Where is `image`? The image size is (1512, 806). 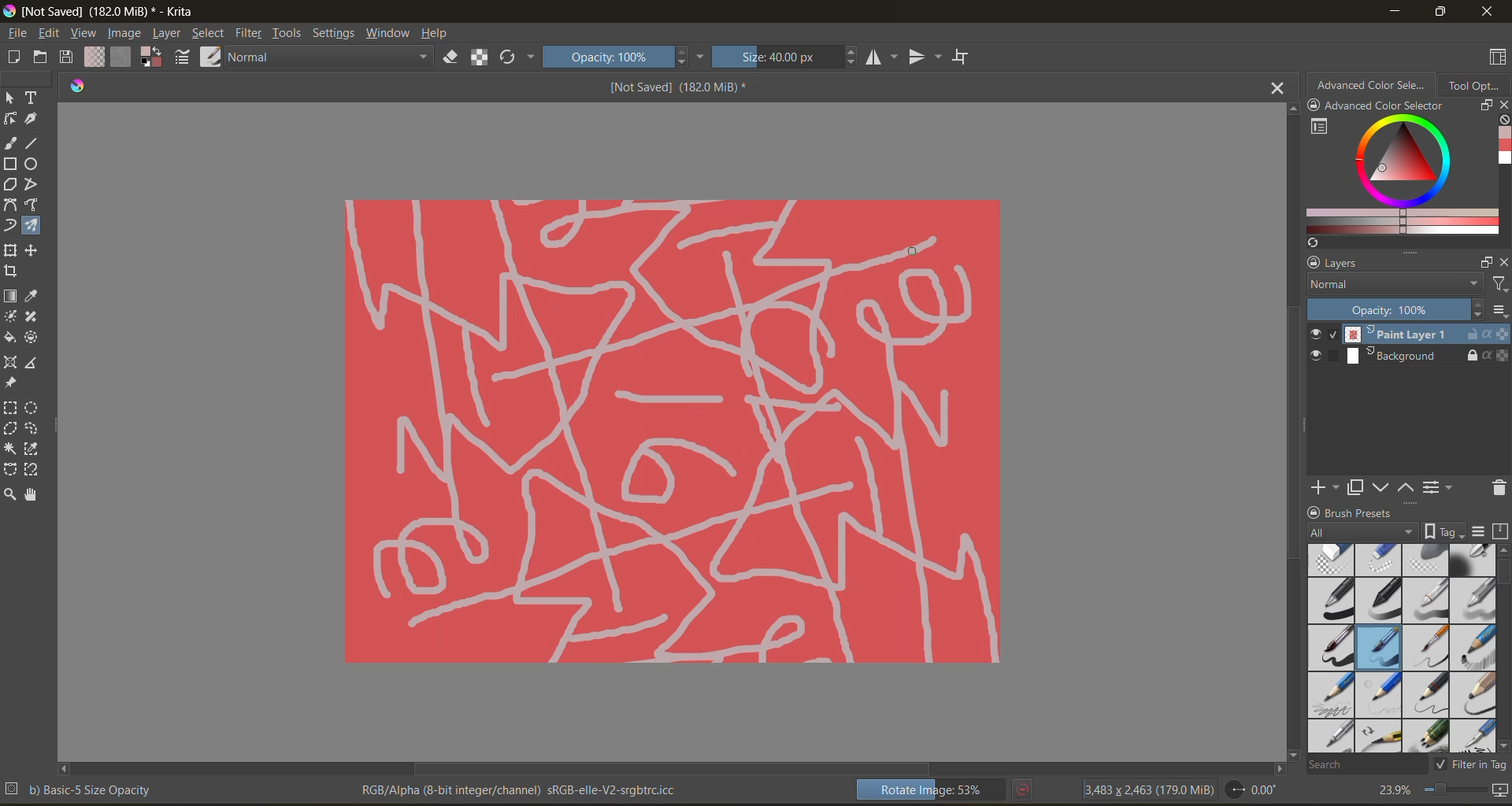 image is located at coordinates (124, 34).